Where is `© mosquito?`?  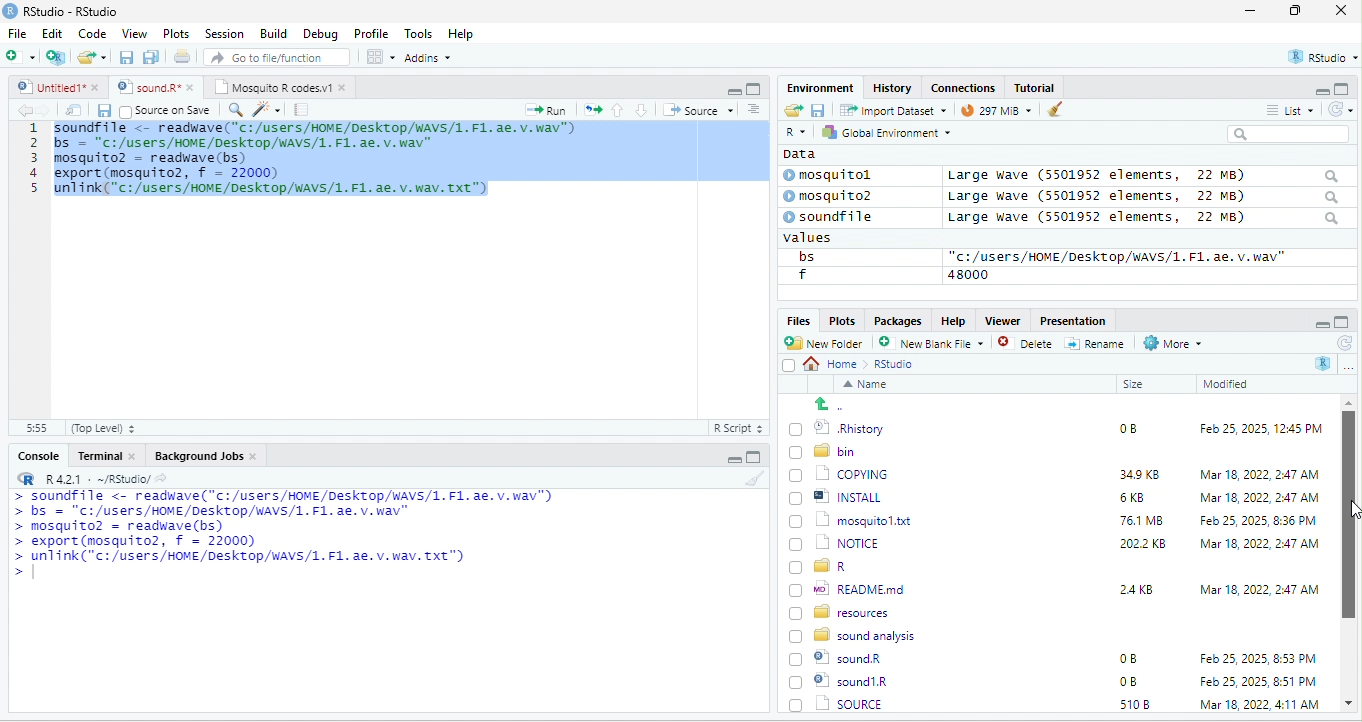 © mosquito? is located at coordinates (834, 194).